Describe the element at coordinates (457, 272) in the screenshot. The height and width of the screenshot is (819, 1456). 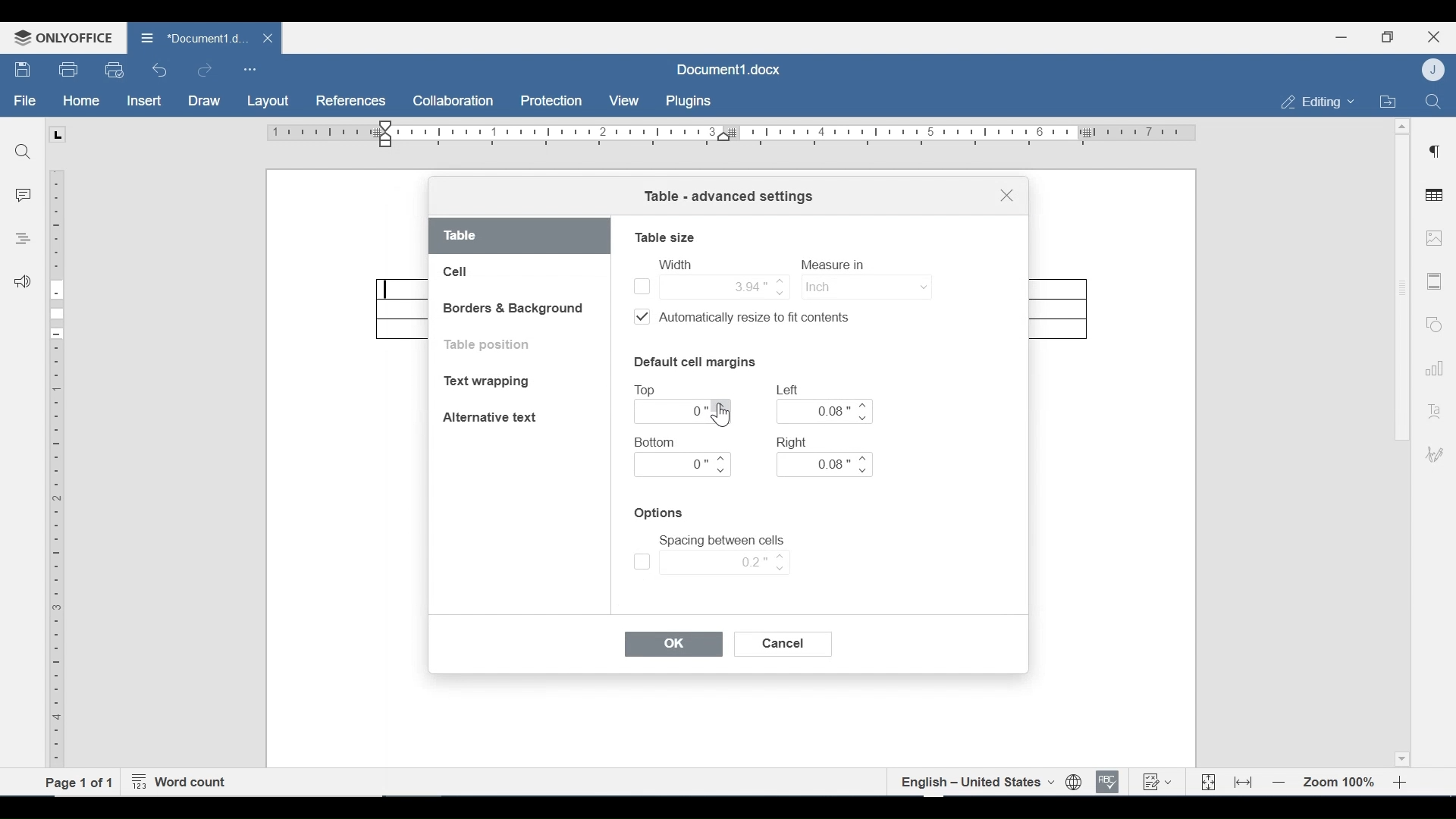
I see `Cell` at that location.